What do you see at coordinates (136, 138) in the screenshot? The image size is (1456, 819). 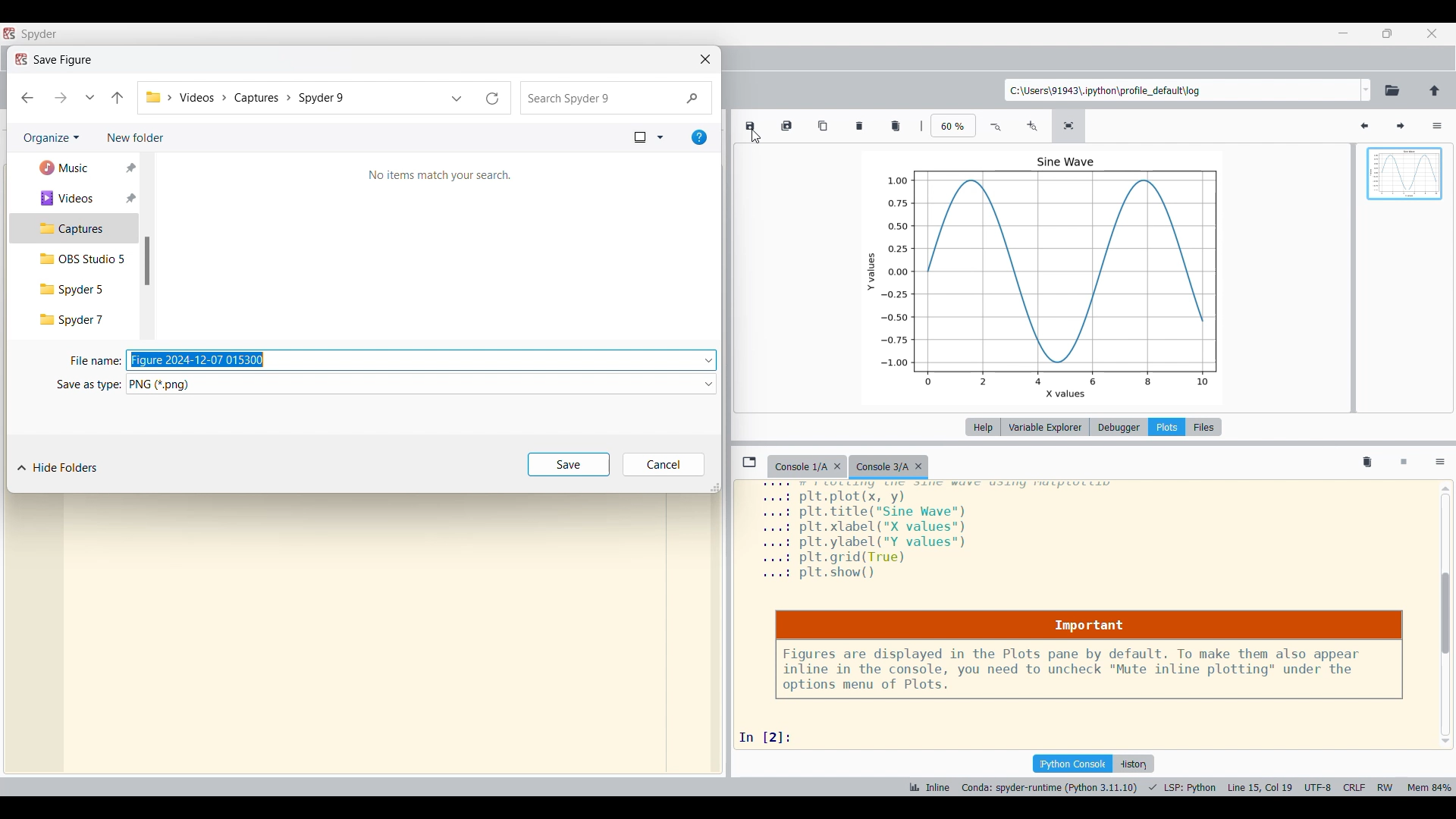 I see `Add new folder` at bounding box center [136, 138].